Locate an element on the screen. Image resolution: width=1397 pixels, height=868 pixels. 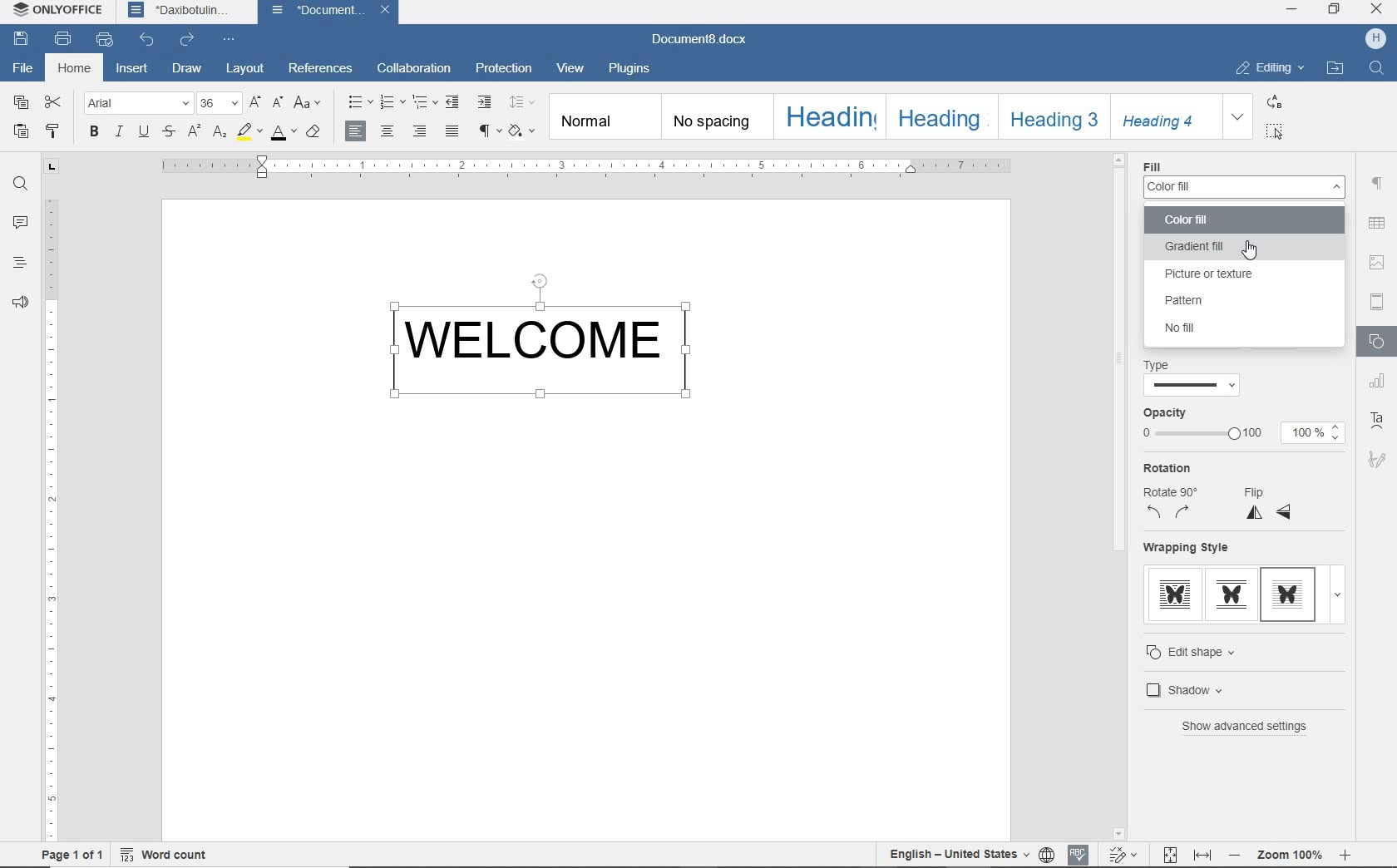
show advanced settings is located at coordinates (1250, 727).